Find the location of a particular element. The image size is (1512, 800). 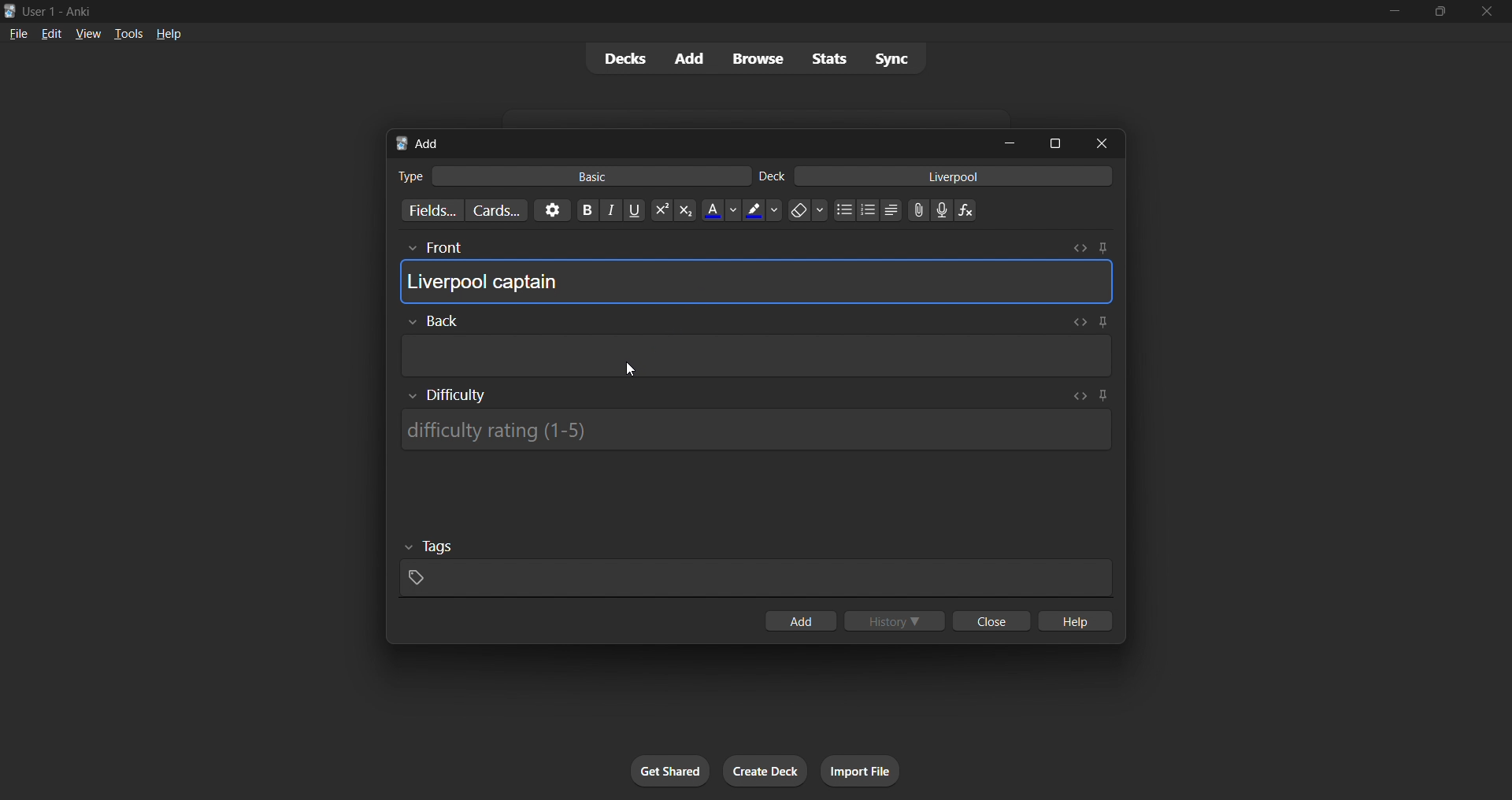

 is located at coordinates (430, 547).